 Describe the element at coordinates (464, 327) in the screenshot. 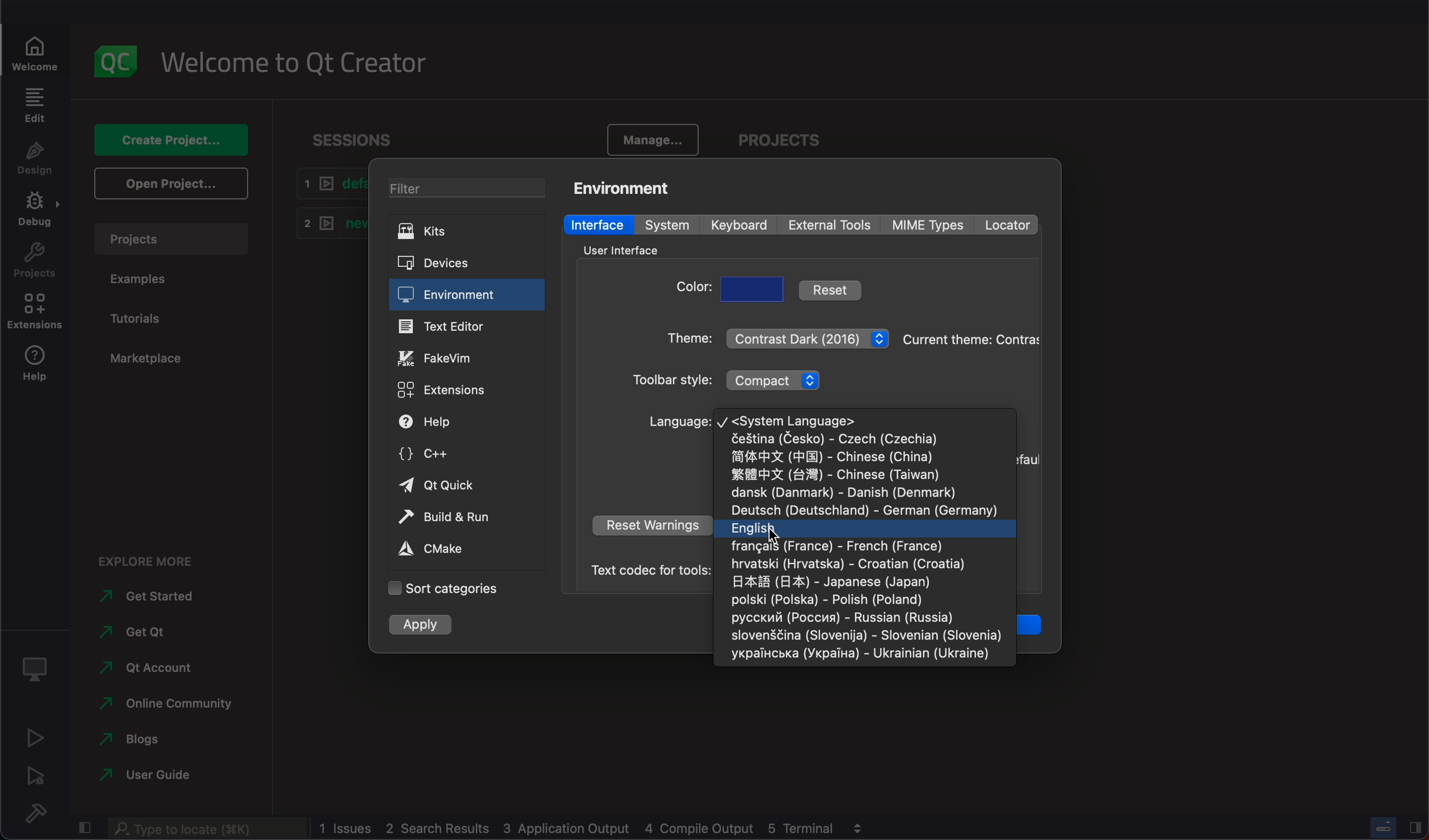

I see `text editor` at that location.